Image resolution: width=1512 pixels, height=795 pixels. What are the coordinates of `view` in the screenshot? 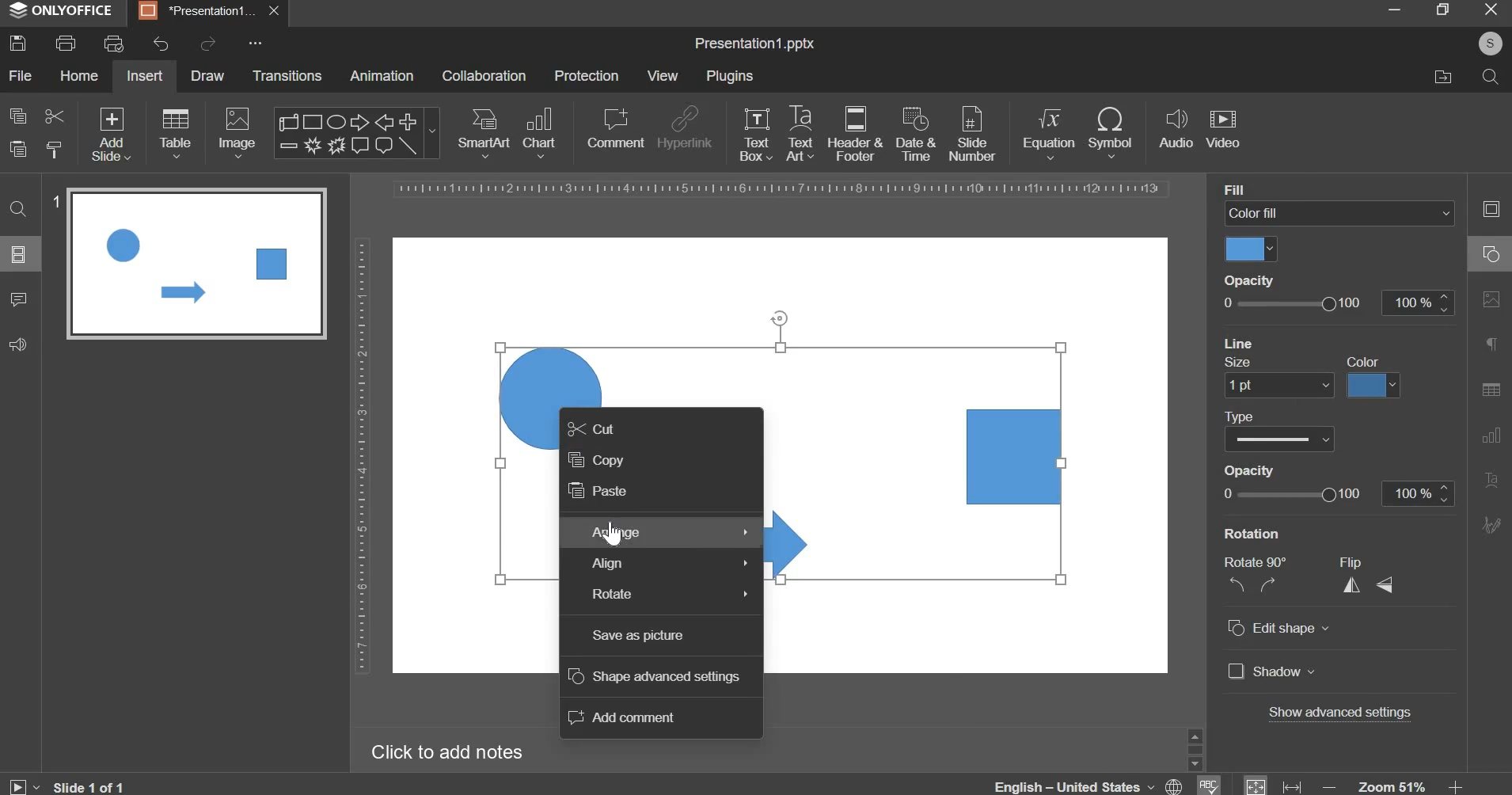 It's located at (662, 75).